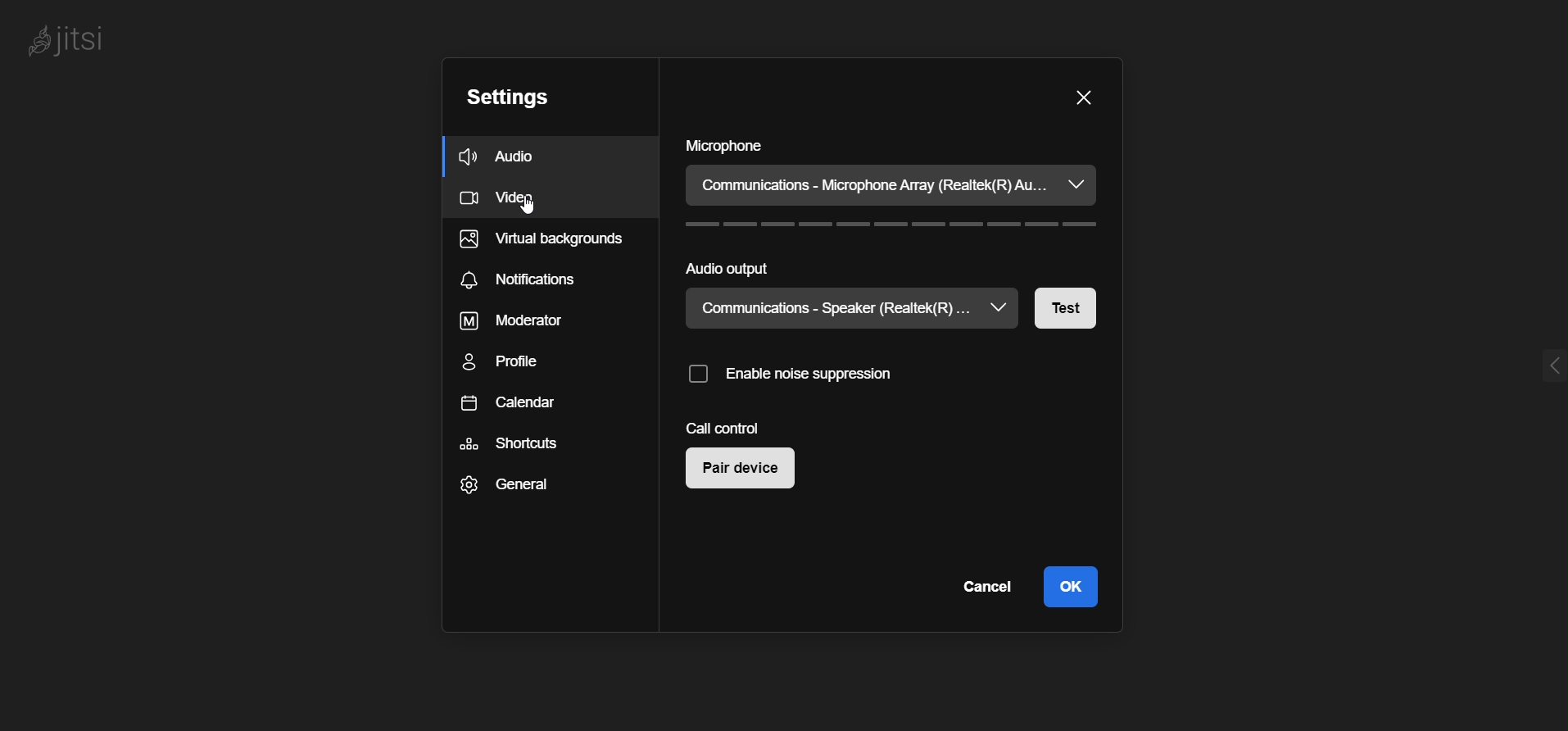 This screenshot has height=731, width=1568. Describe the element at coordinates (1063, 311) in the screenshot. I see `test` at that location.